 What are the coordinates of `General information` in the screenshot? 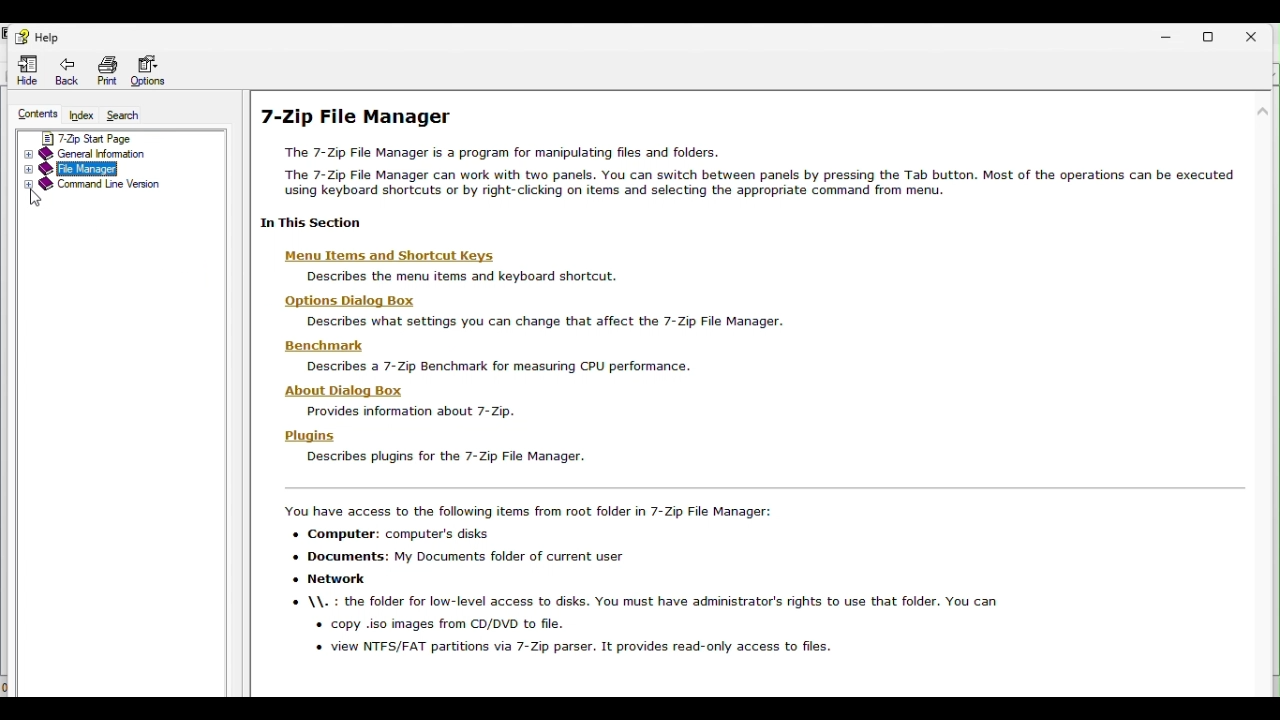 It's located at (98, 154).